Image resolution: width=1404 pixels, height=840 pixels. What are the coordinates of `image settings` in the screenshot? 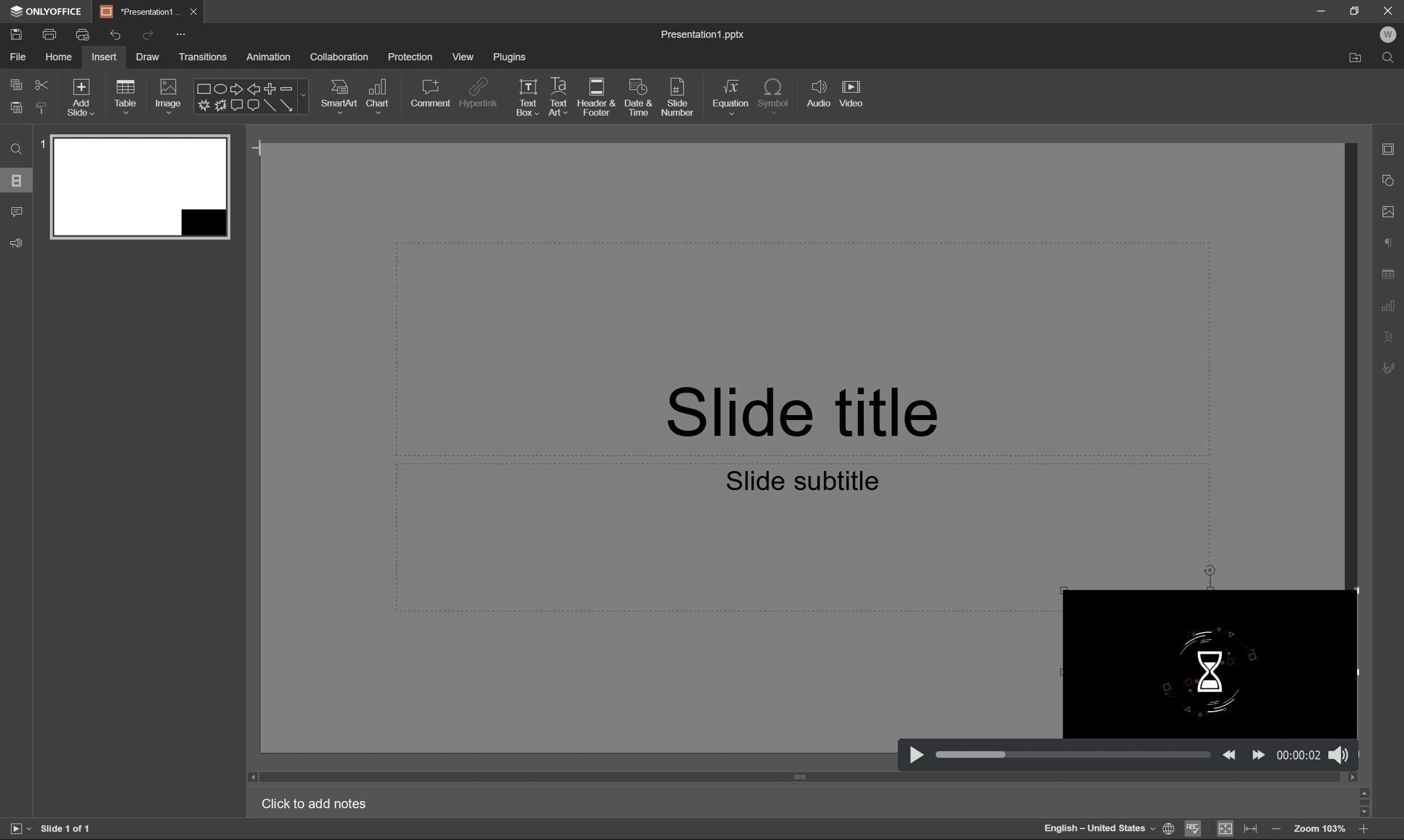 It's located at (1392, 211).